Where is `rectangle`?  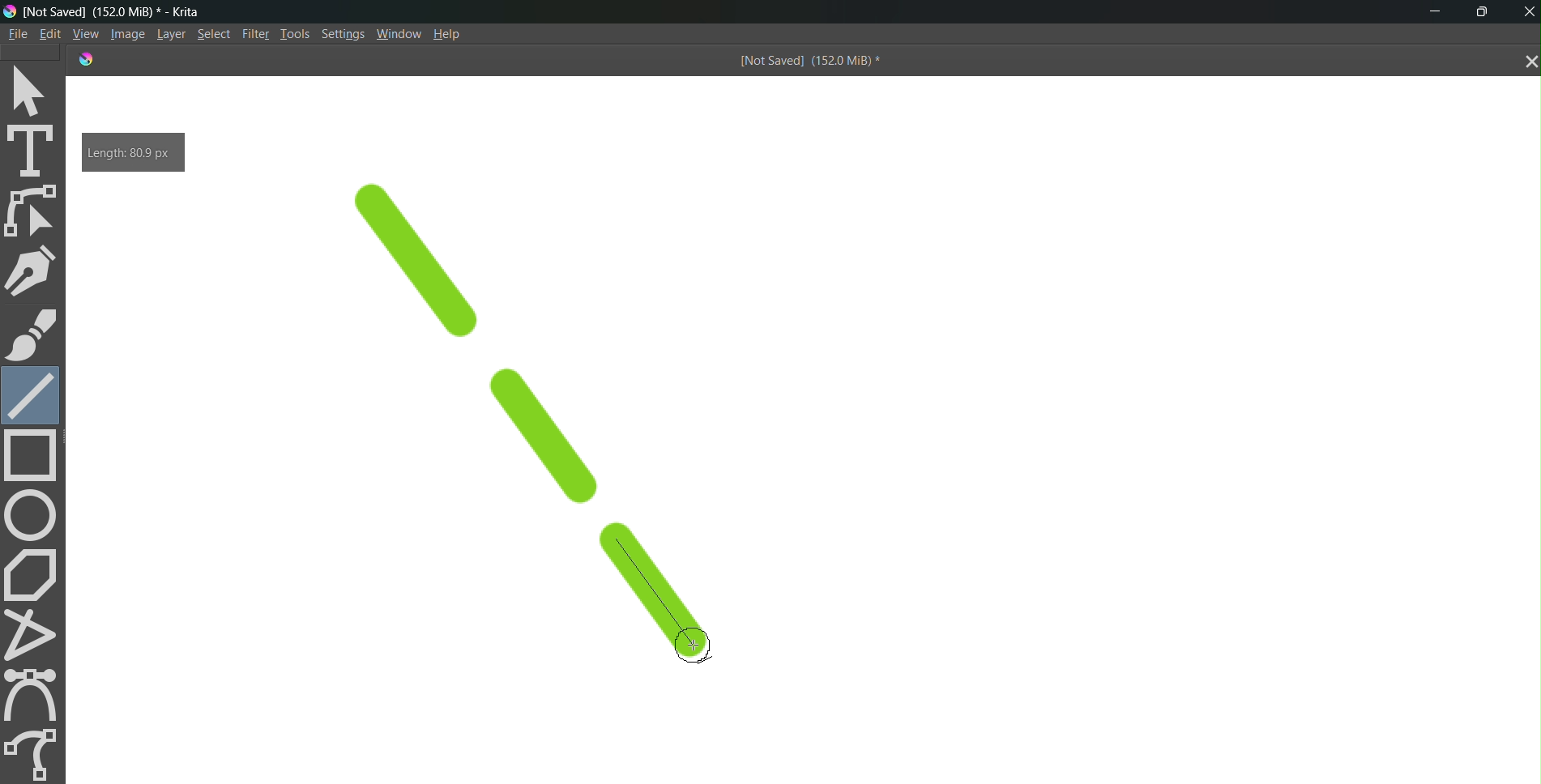
rectangle is located at coordinates (36, 457).